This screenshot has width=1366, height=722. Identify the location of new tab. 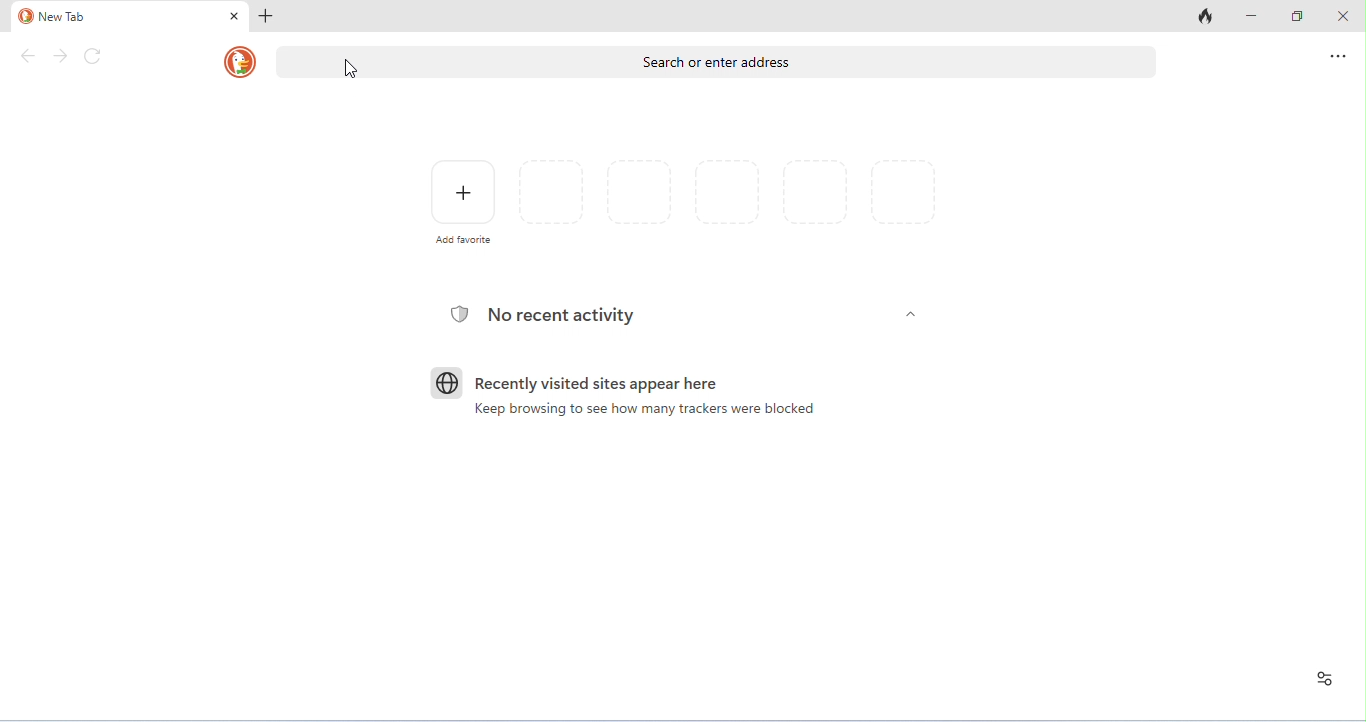
(118, 17).